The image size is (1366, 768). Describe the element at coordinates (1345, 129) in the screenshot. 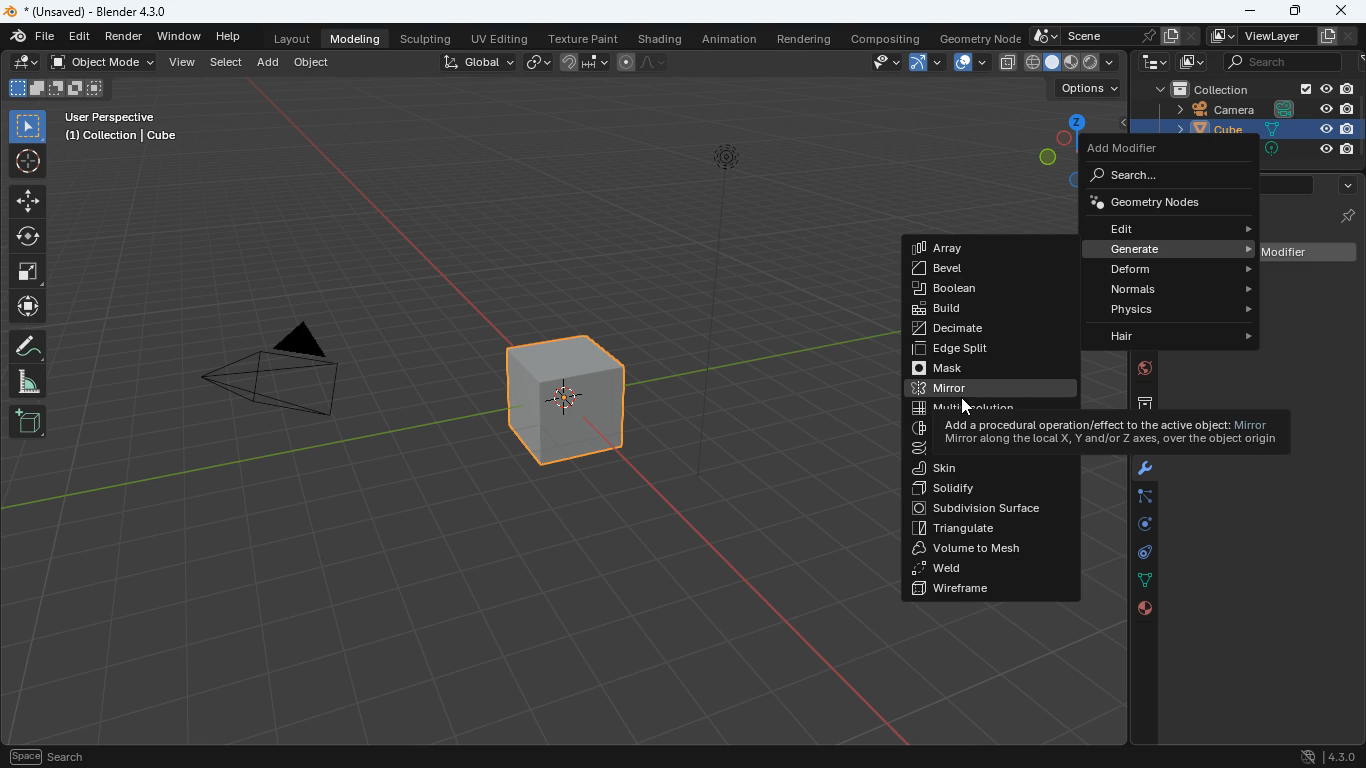

I see `` at that location.